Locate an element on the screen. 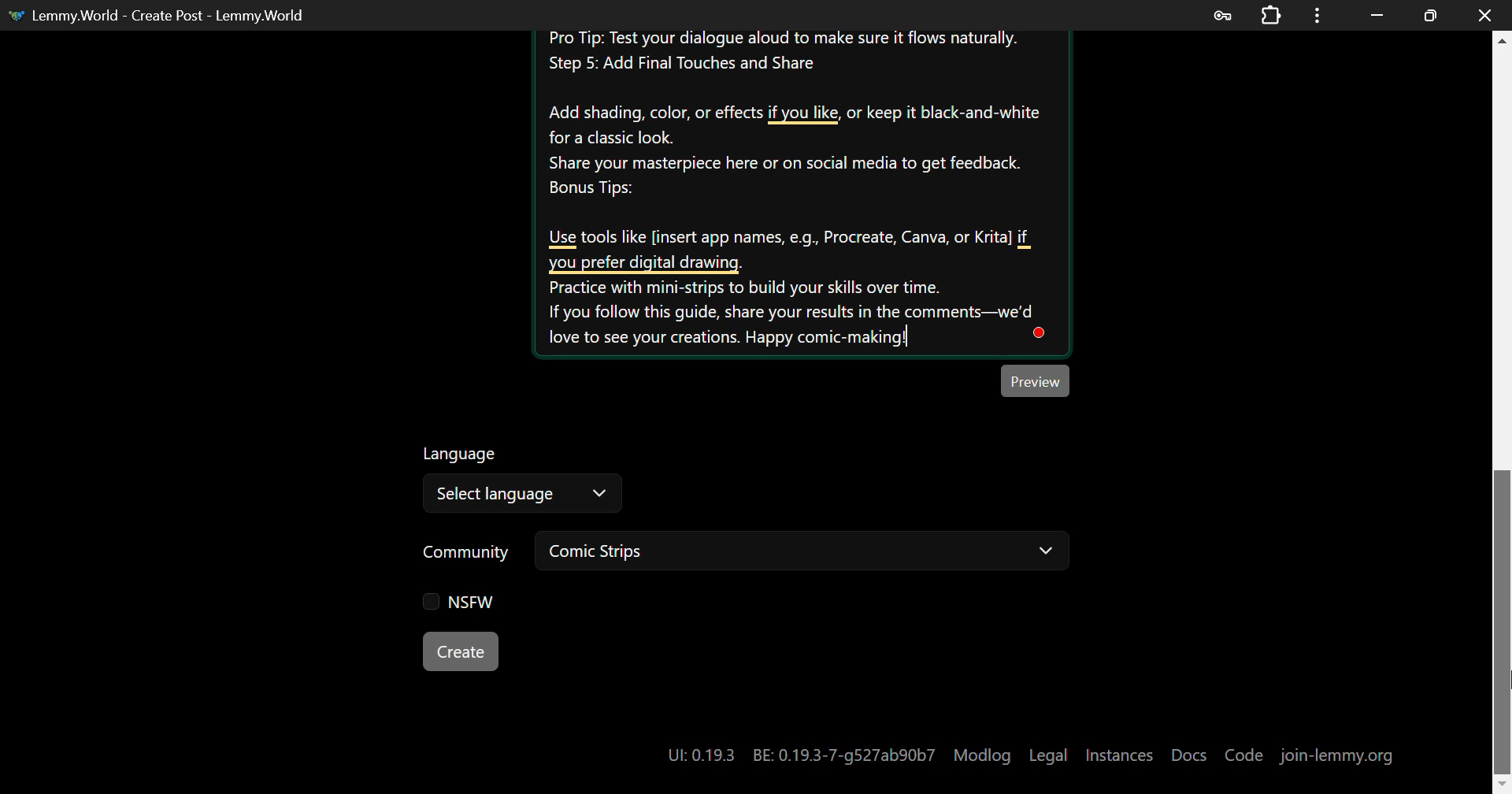 This screenshot has height=794, width=1512. Preview is located at coordinates (1036, 380).